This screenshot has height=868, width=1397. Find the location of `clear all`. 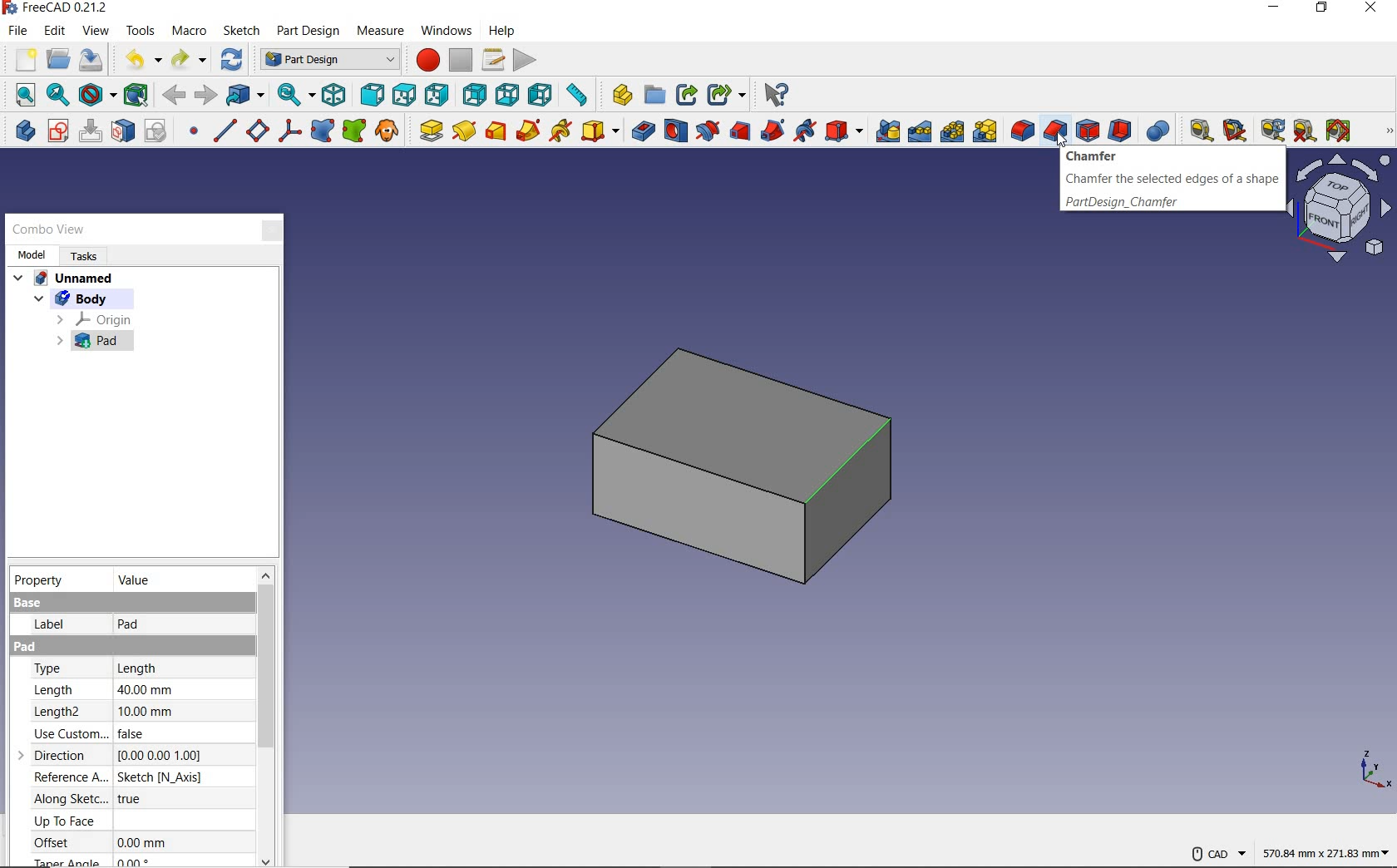

clear all is located at coordinates (1306, 131).